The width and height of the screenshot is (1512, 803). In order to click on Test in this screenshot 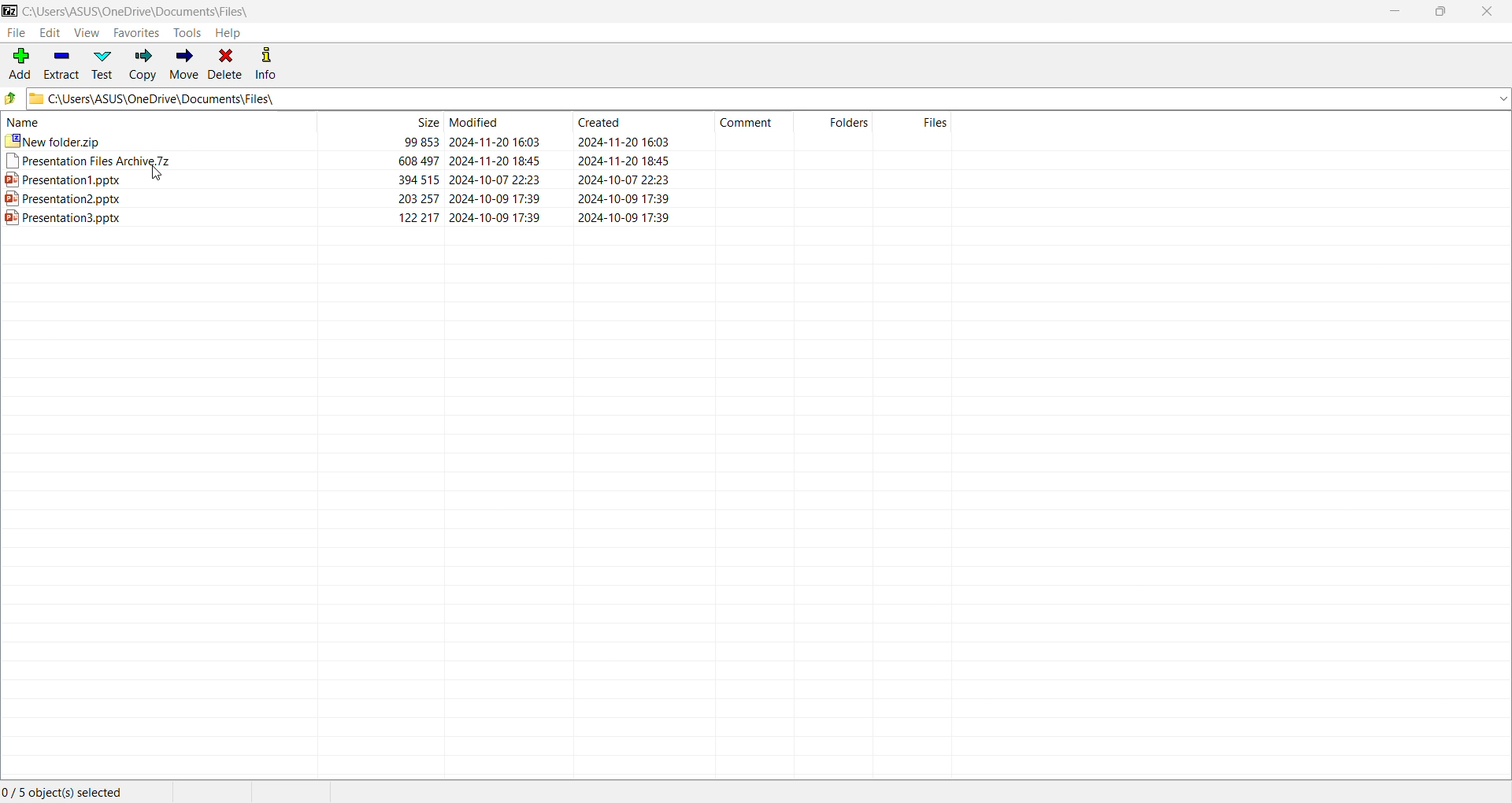, I will do `click(102, 66)`.